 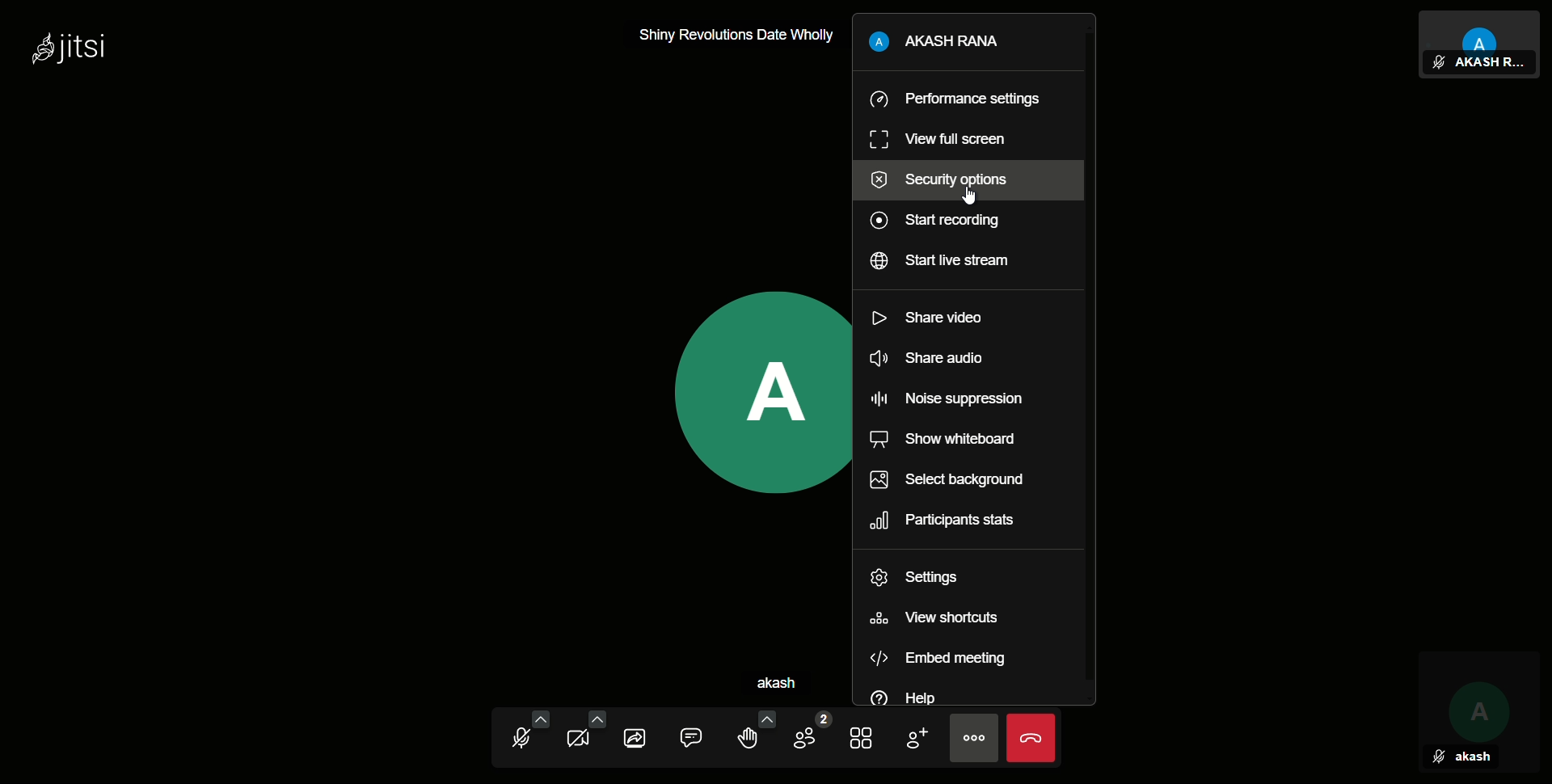 What do you see at coordinates (969, 200) in the screenshot?
I see `cursor` at bounding box center [969, 200].